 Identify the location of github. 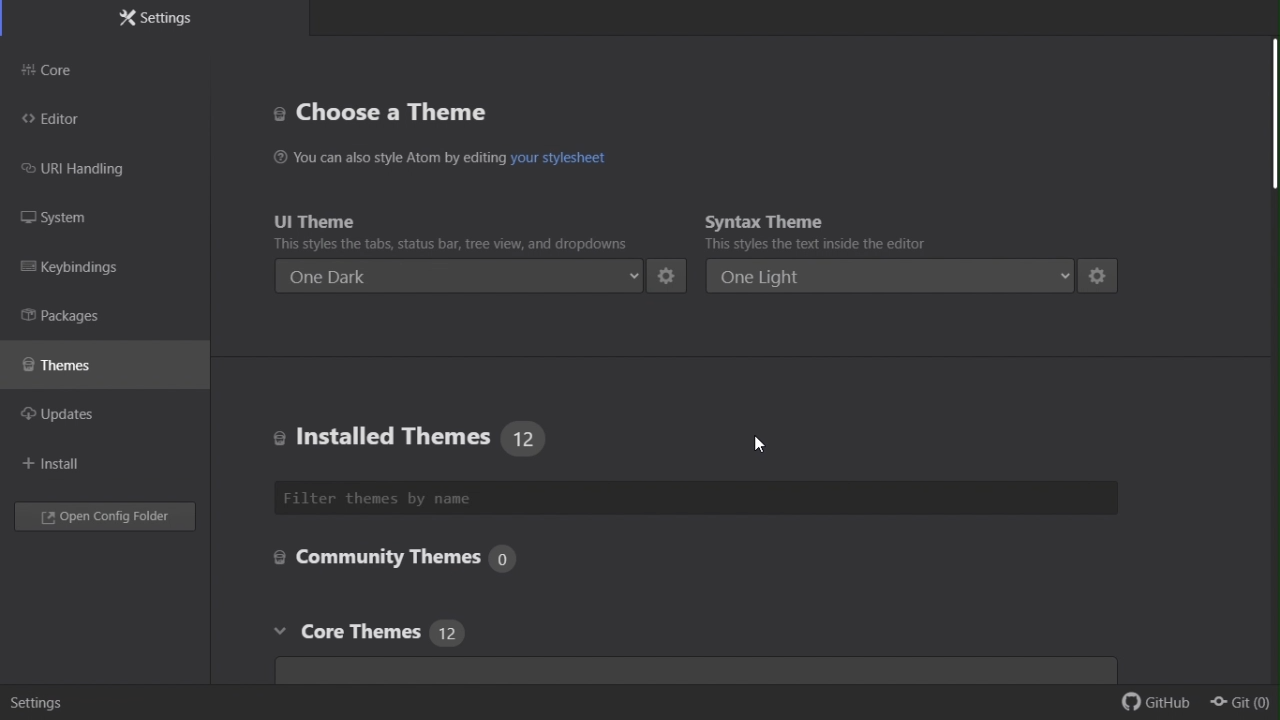
(1151, 701).